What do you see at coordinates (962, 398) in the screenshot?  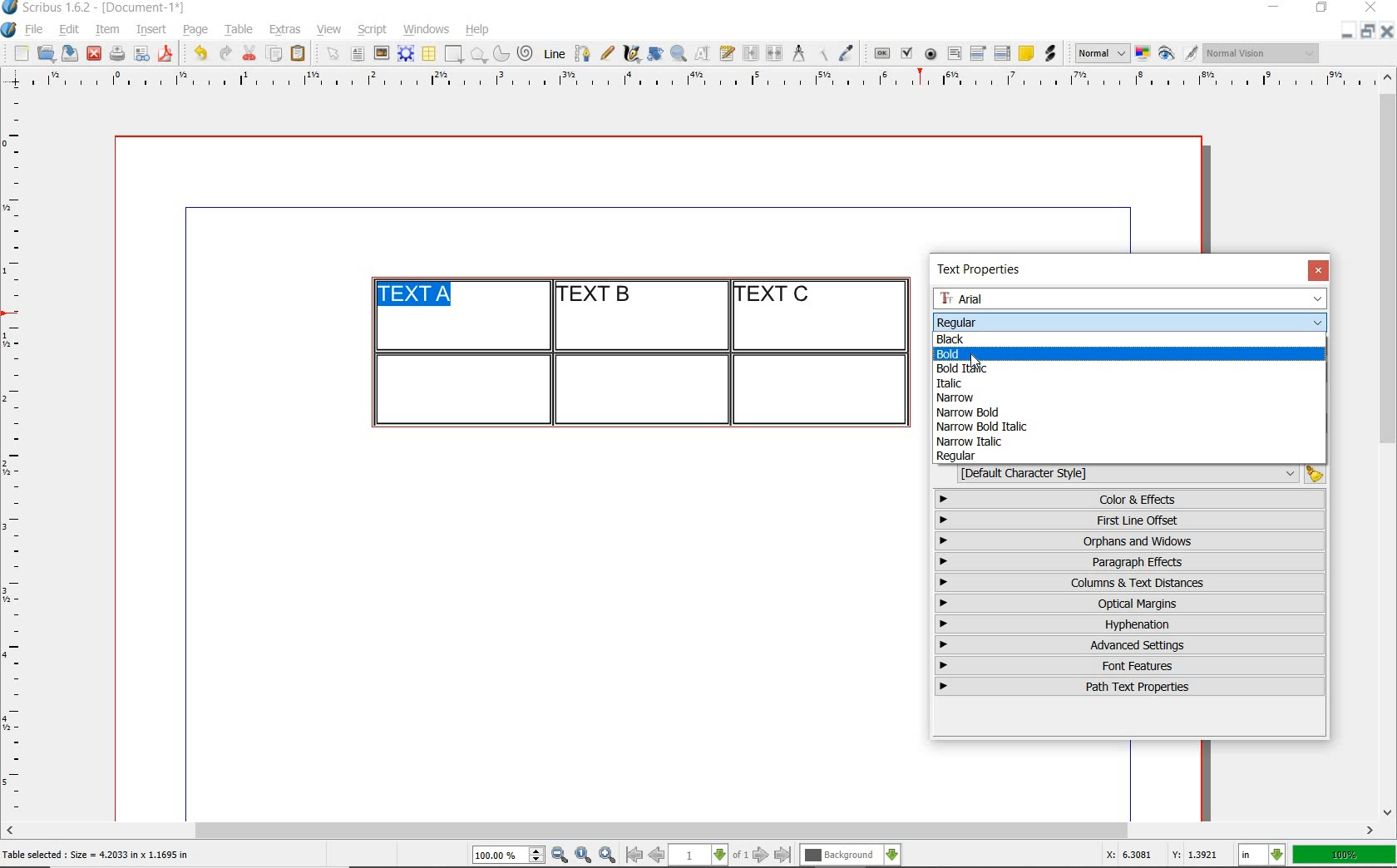 I see `narrow` at bounding box center [962, 398].